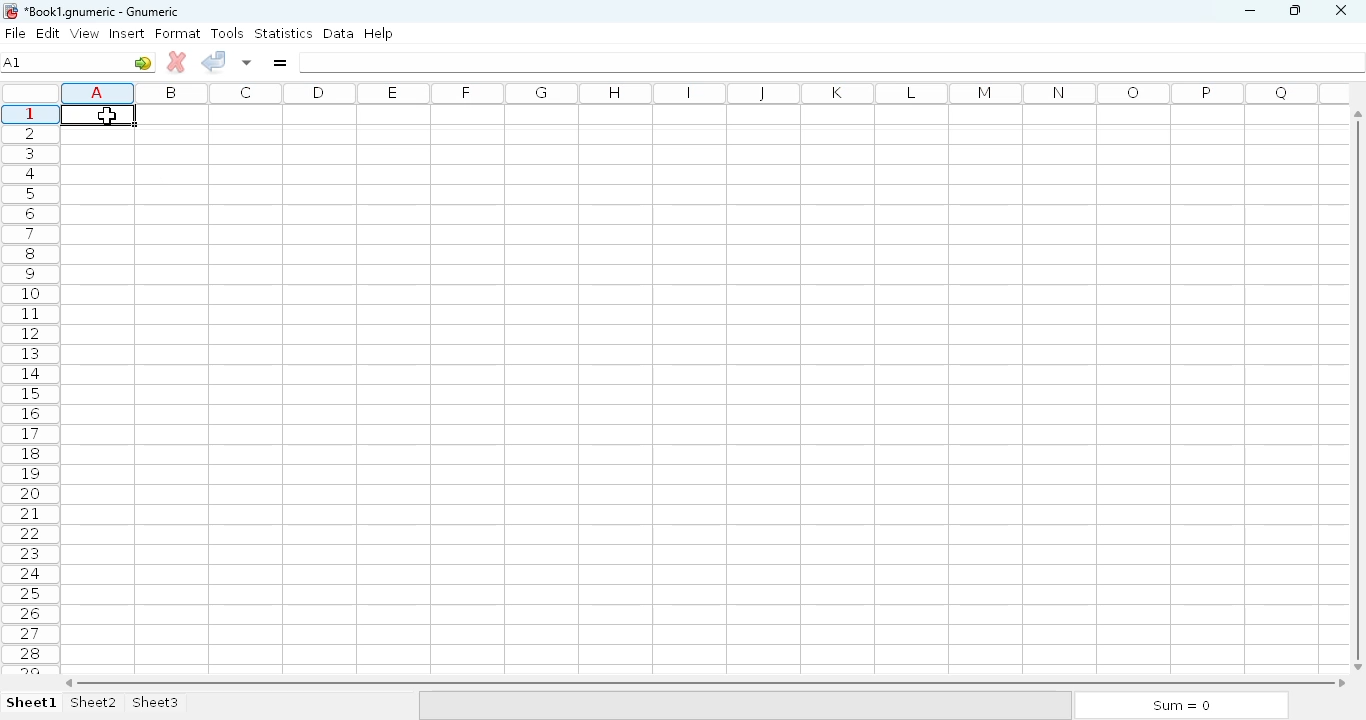  Describe the element at coordinates (247, 62) in the screenshot. I see `accept change in multiple cells` at that location.